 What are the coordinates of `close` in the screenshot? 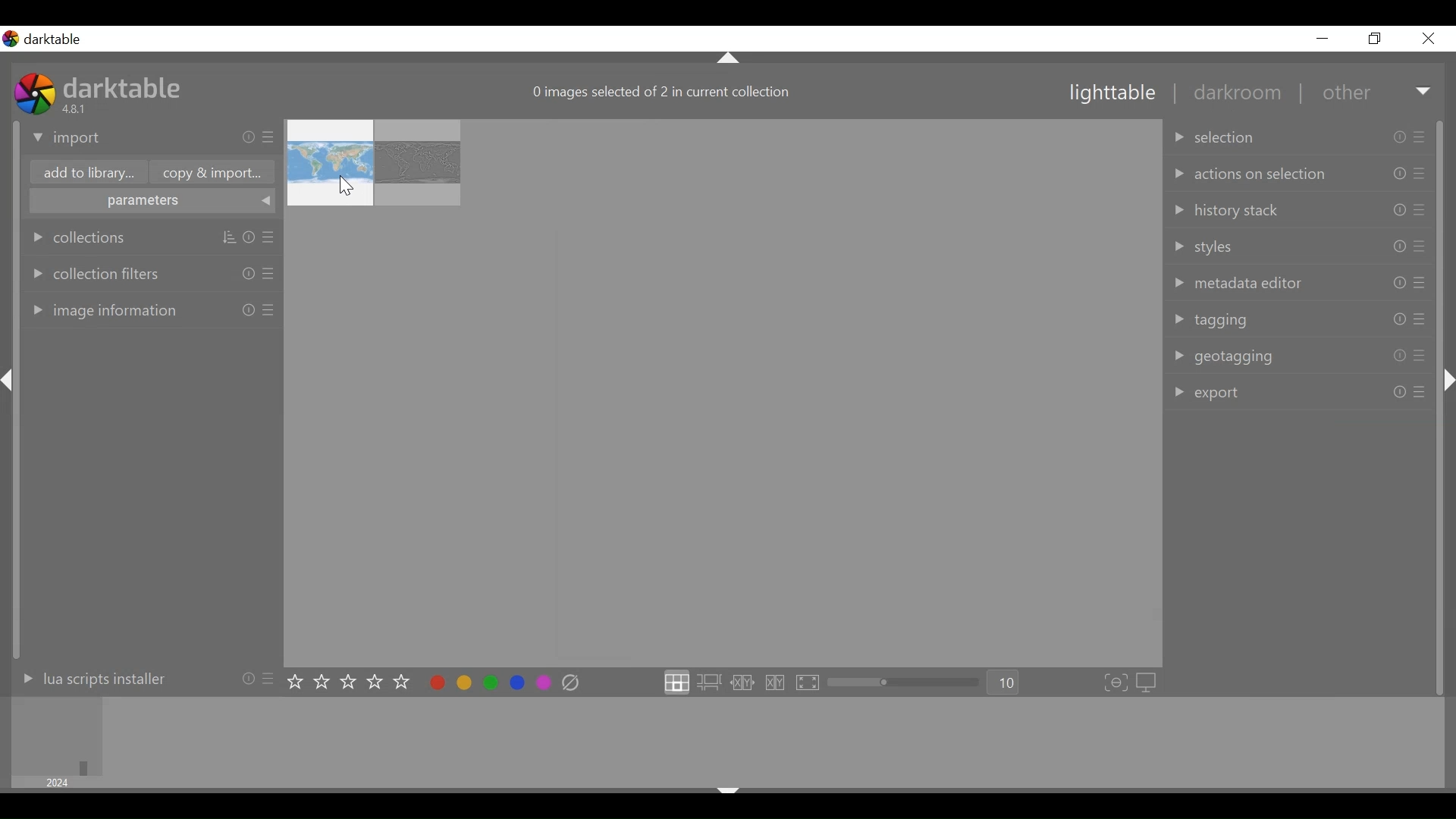 It's located at (1427, 39).